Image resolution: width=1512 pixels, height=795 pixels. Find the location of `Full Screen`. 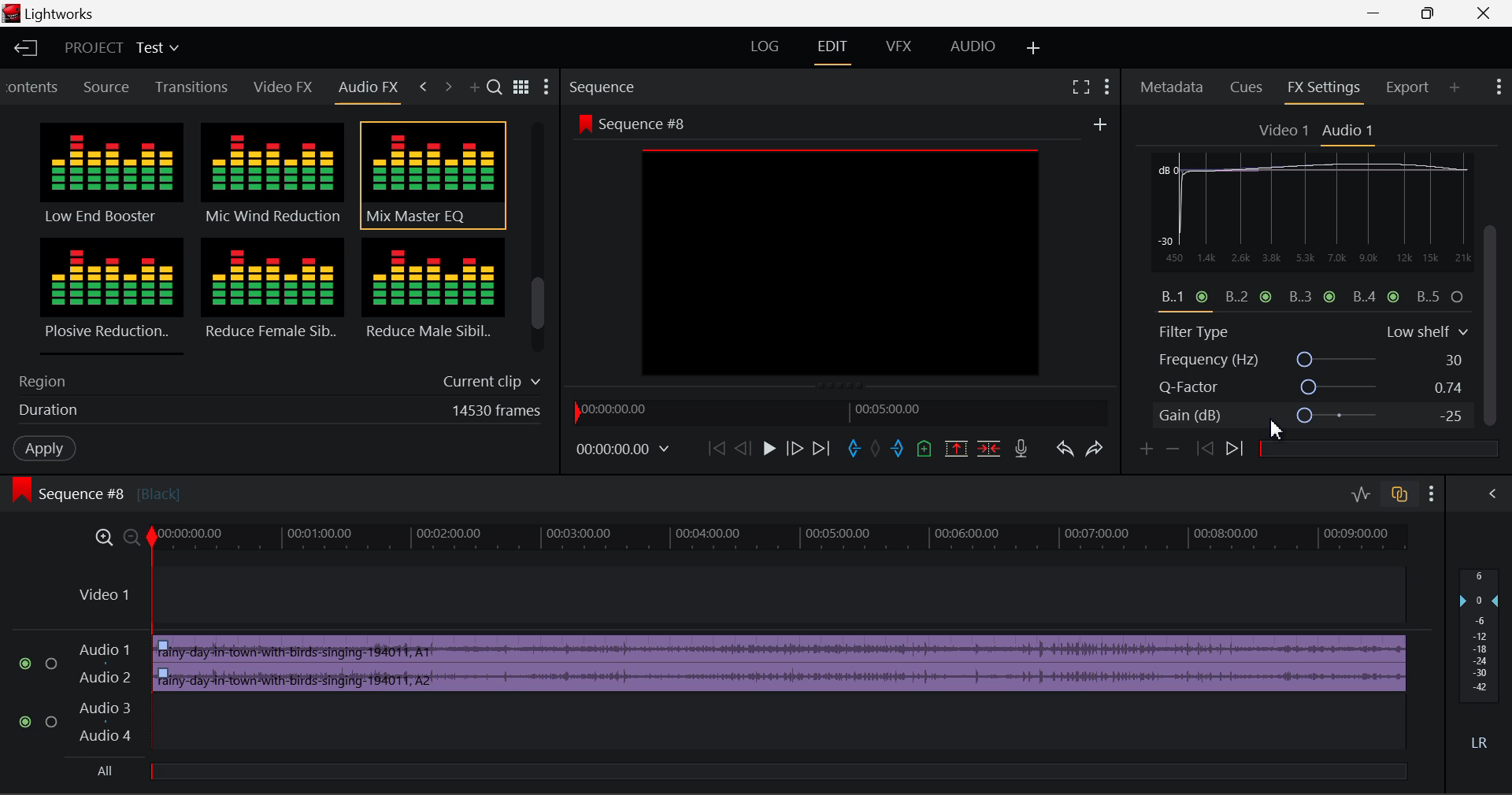

Full Screen is located at coordinates (1080, 87).